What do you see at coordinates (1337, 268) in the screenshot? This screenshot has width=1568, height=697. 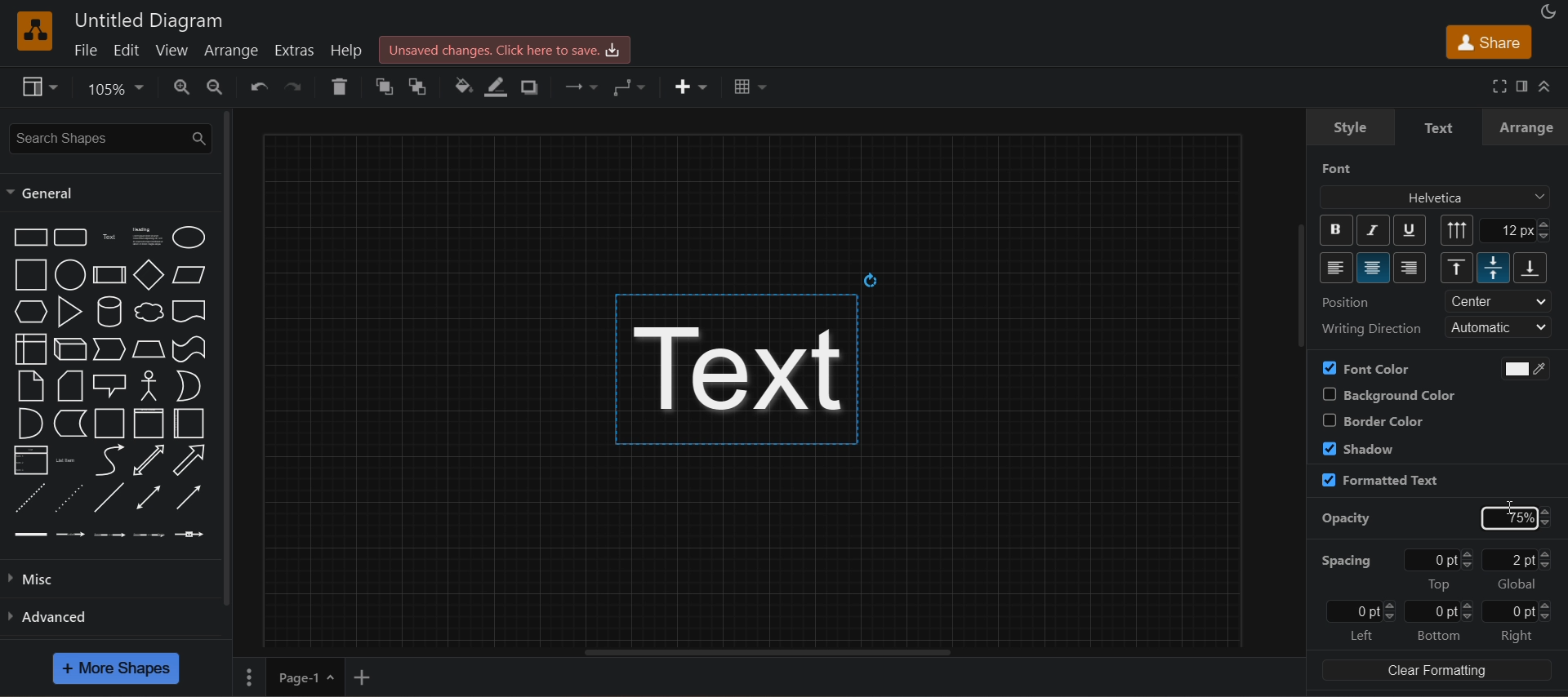 I see `left` at bounding box center [1337, 268].